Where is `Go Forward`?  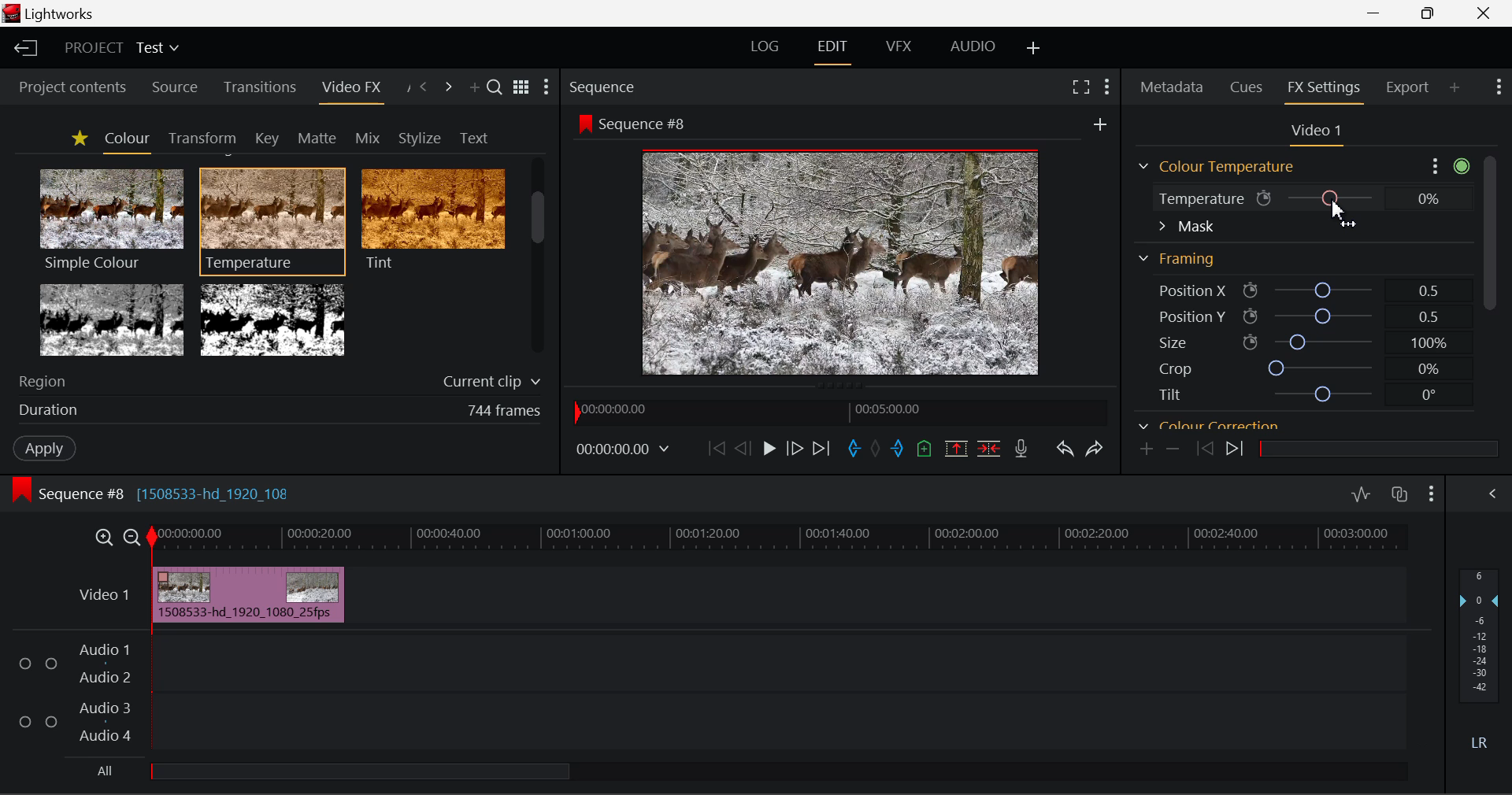 Go Forward is located at coordinates (794, 449).